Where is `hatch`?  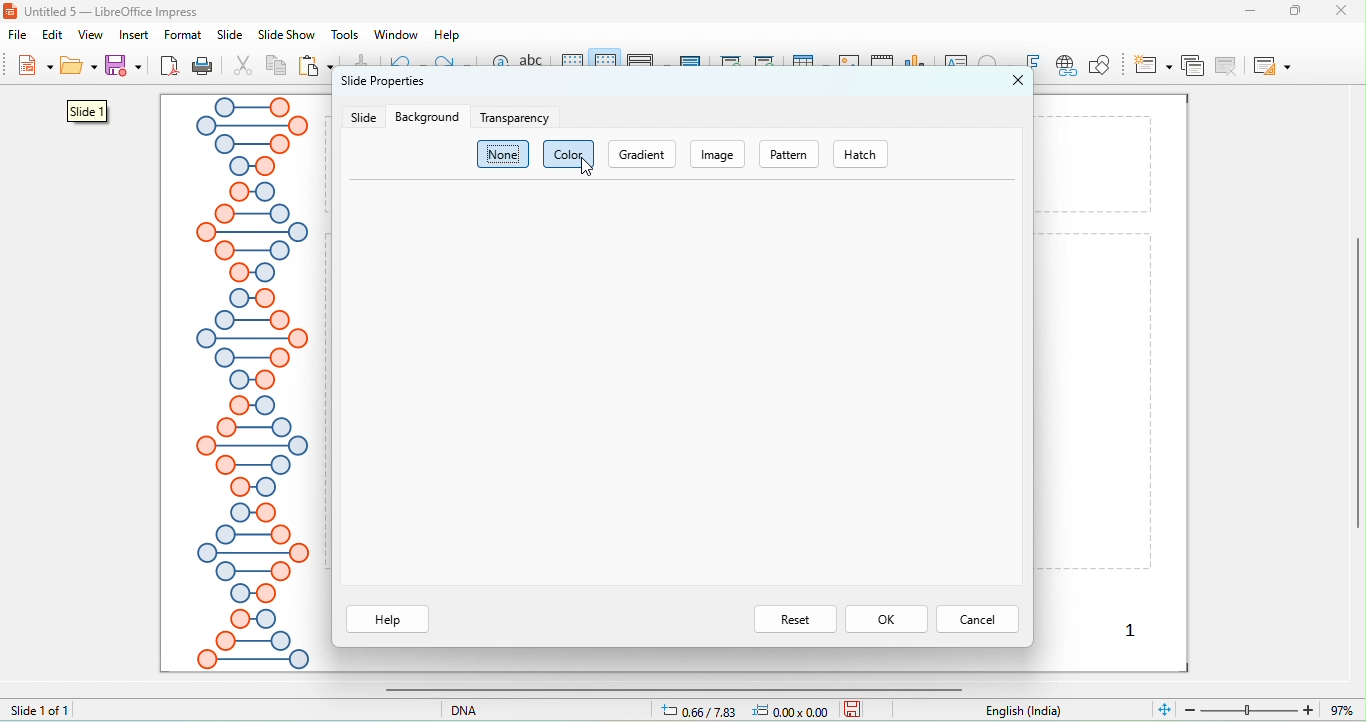
hatch is located at coordinates (872, 154).